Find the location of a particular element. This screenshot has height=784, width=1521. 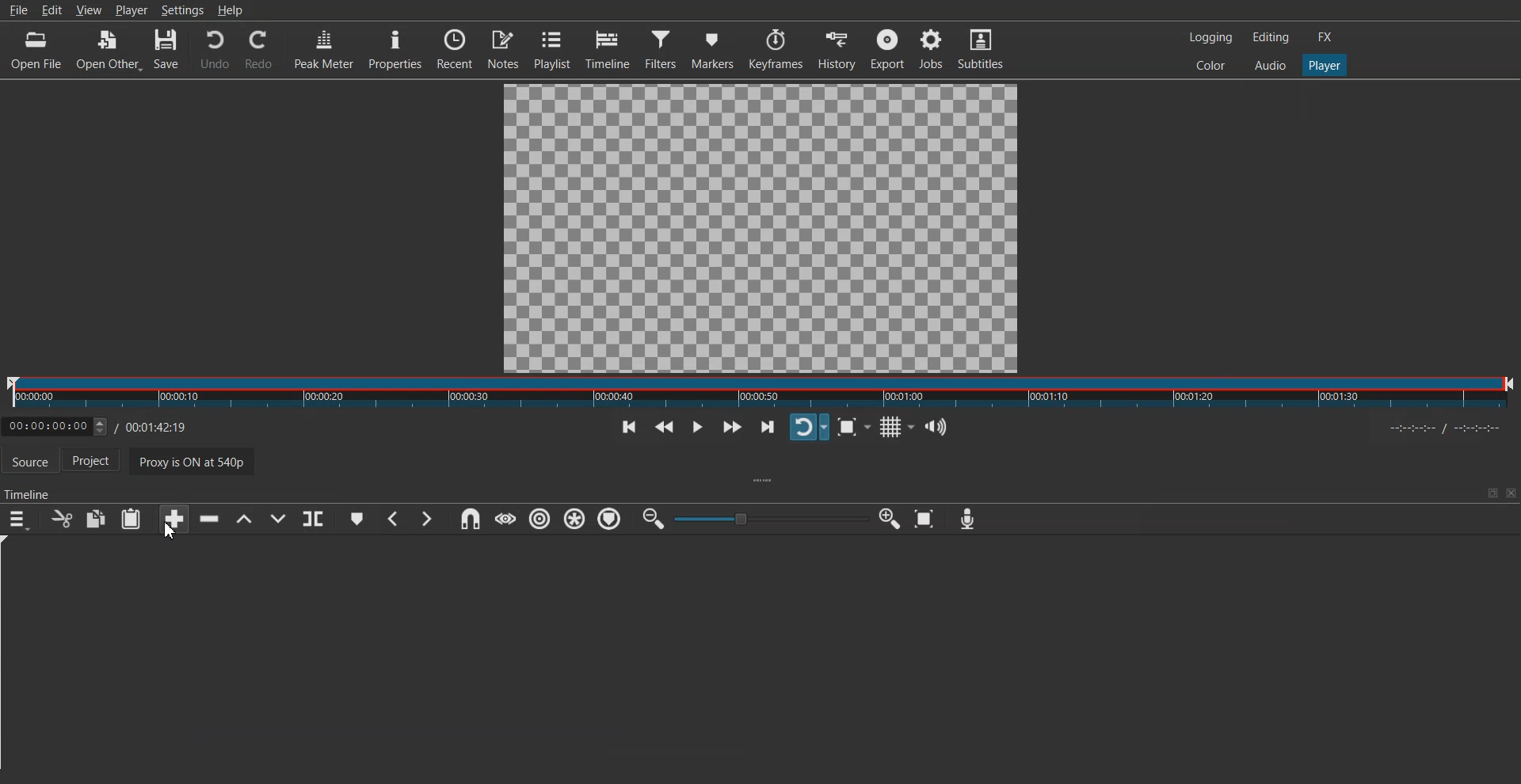

Editing is located at coordinates (1271, 36).